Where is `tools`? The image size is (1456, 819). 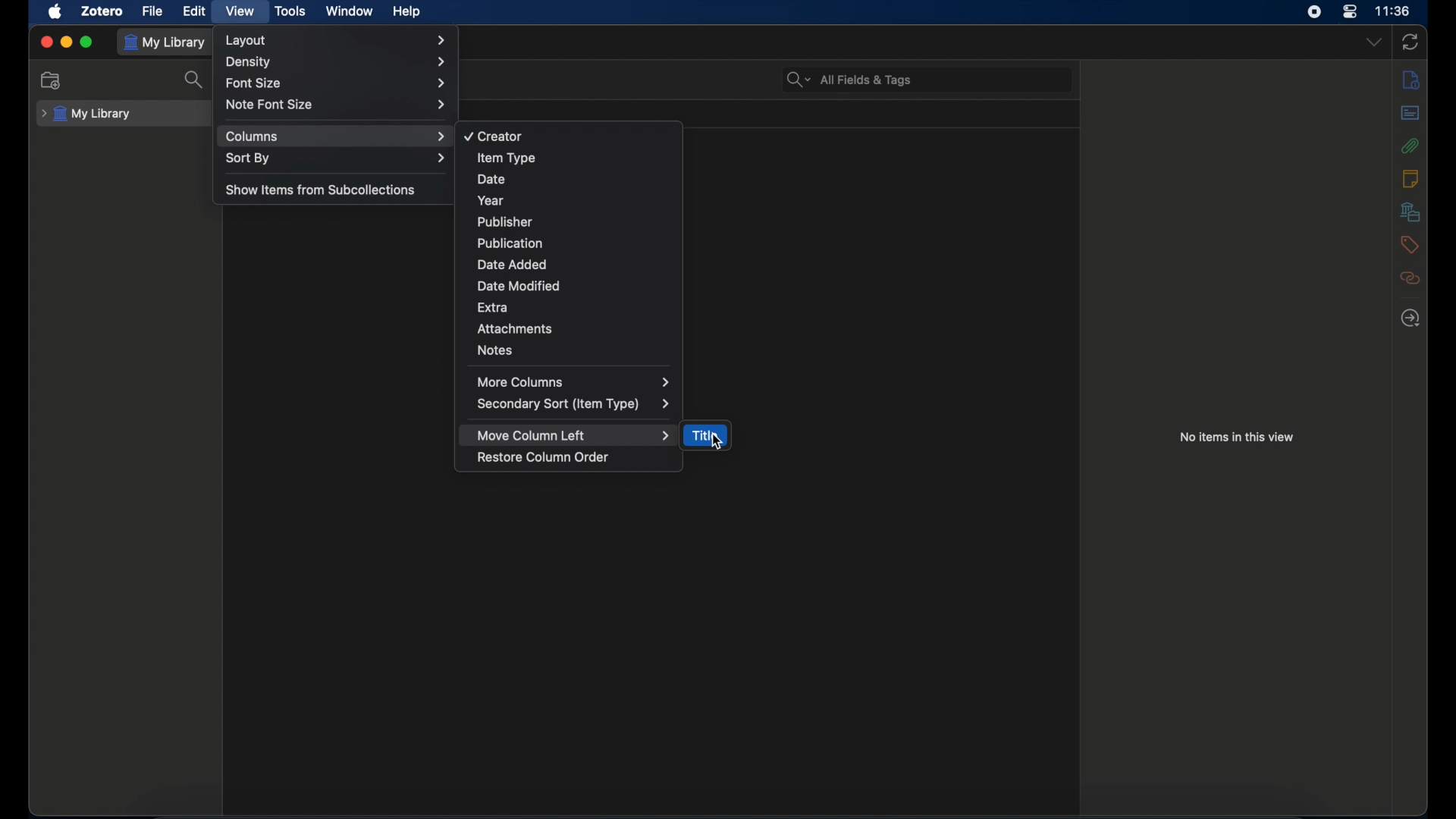 tools is located at coordinates (291, 11).